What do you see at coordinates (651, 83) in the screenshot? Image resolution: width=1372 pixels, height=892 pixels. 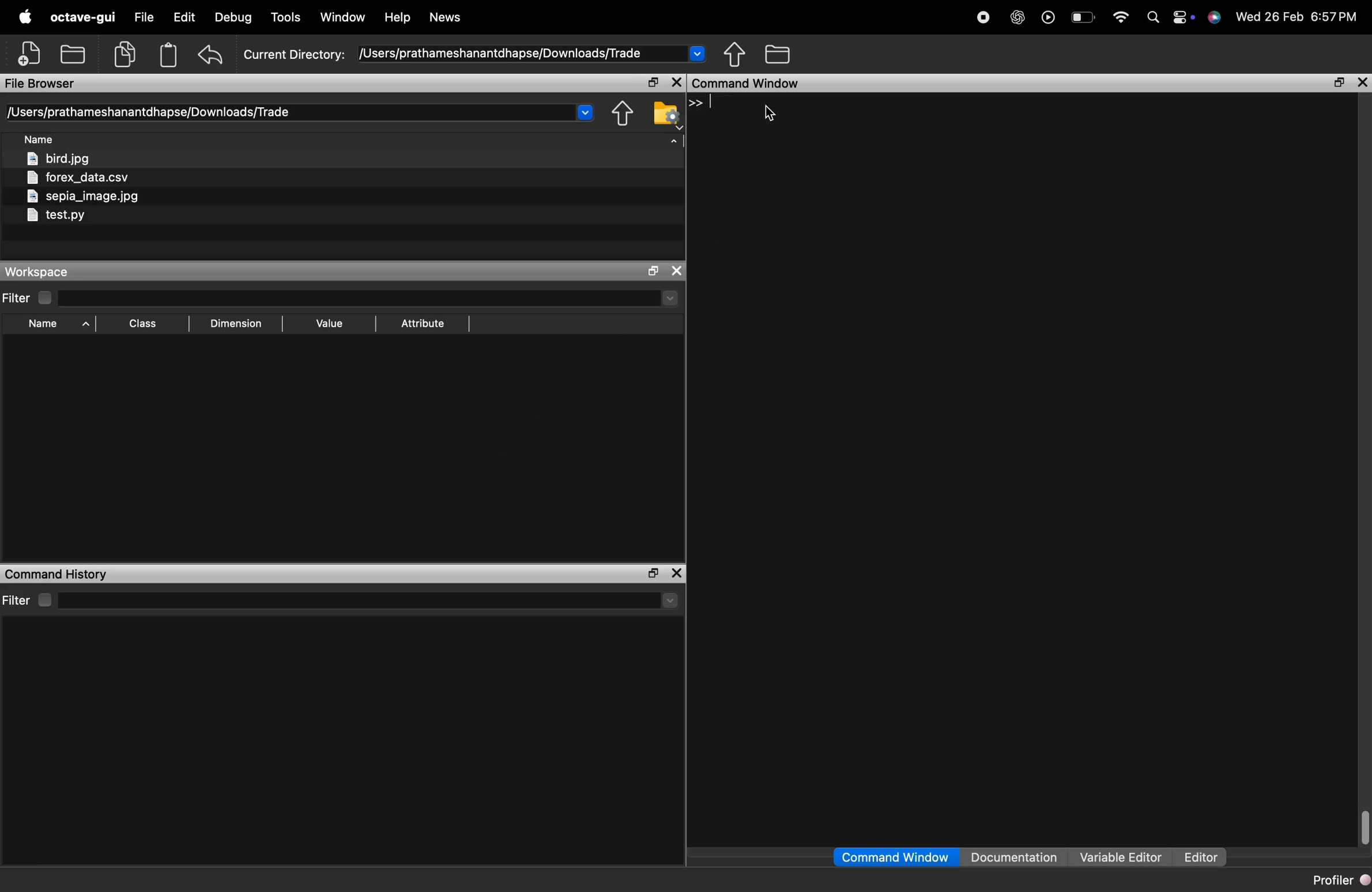 I see `maximize` at bounding box center [651, 83].